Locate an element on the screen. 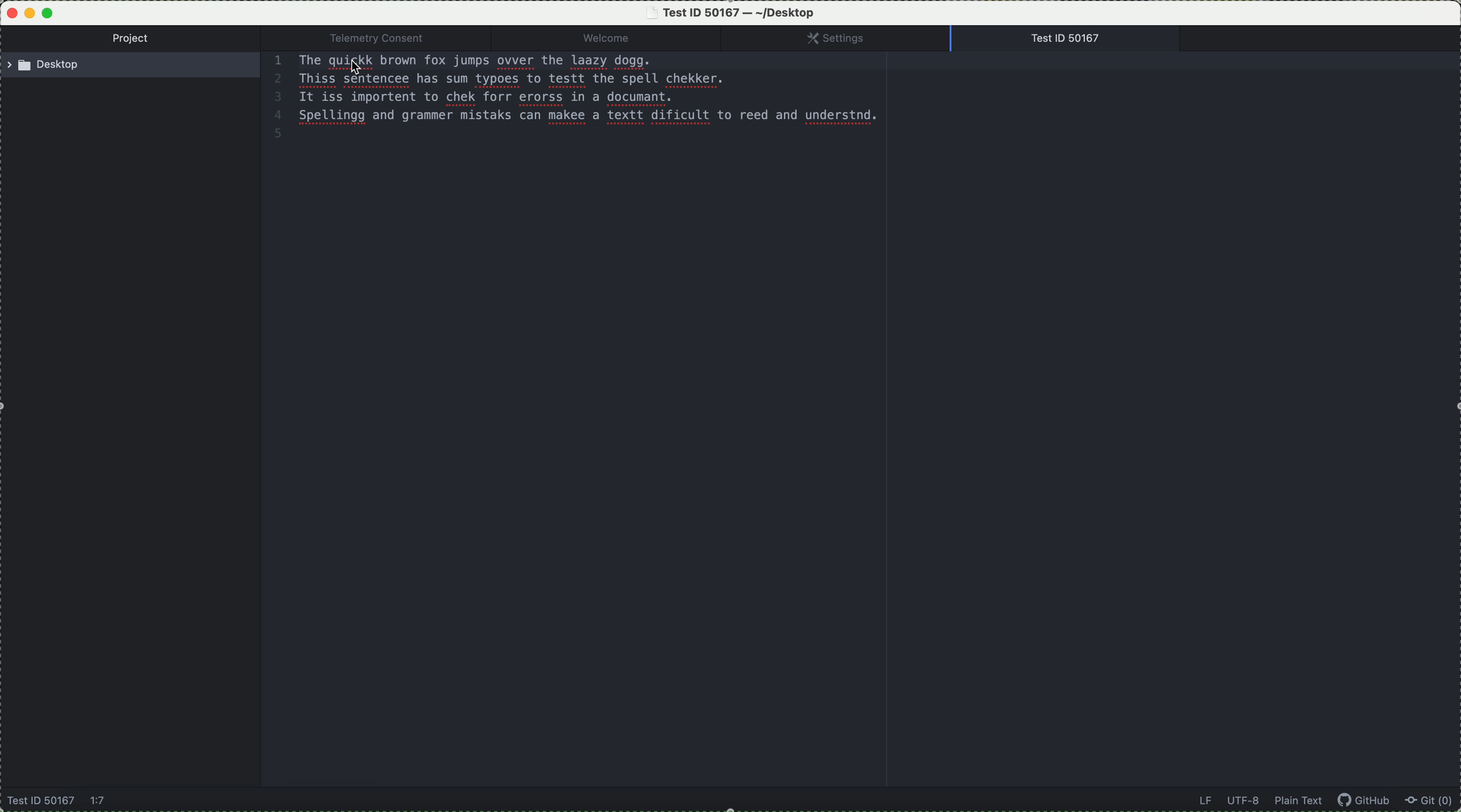  data is located at coordinates (1259, 801).